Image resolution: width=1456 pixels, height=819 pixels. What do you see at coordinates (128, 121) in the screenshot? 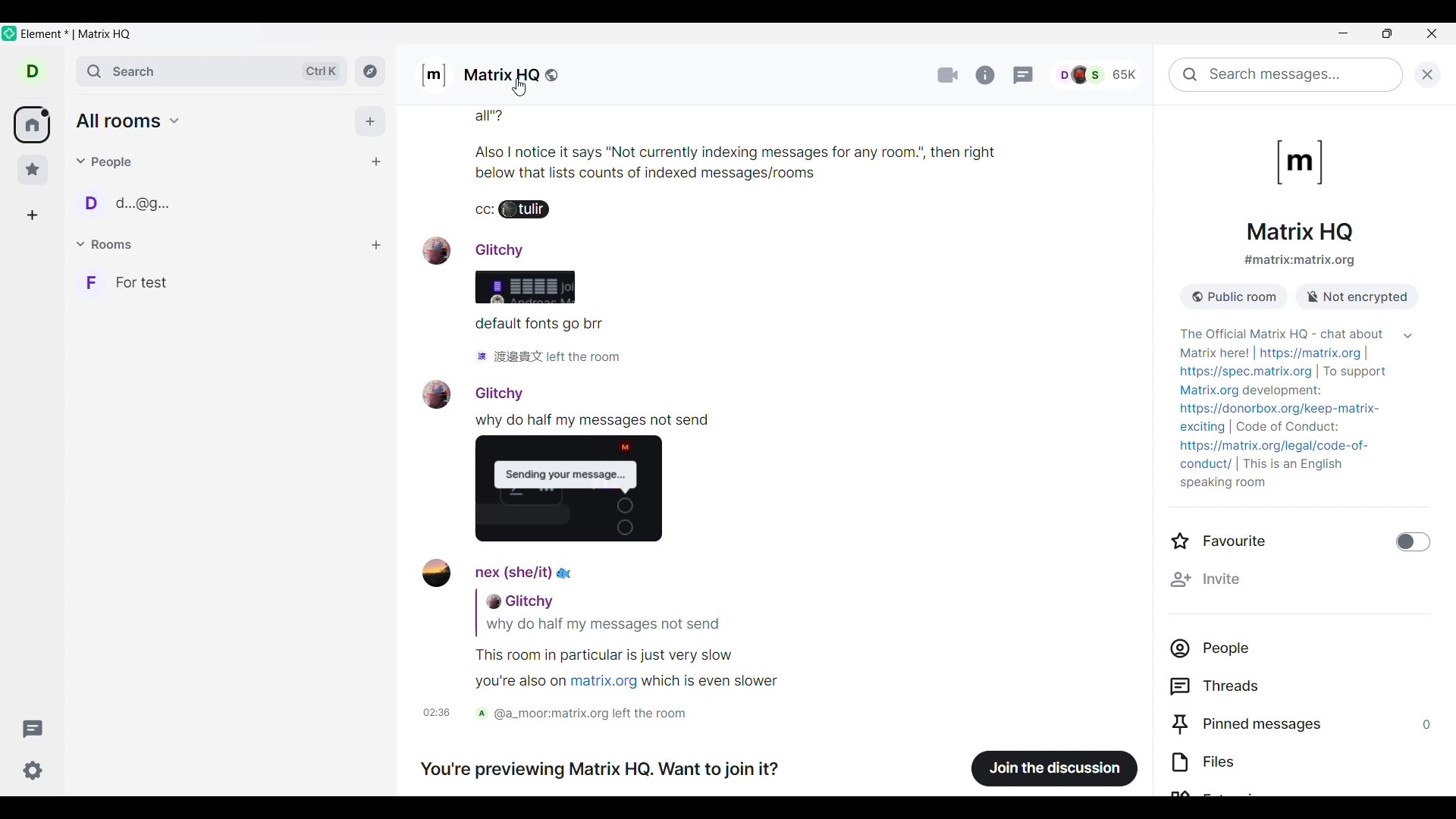
I see `All rooms` at bounding box center [128, 121].